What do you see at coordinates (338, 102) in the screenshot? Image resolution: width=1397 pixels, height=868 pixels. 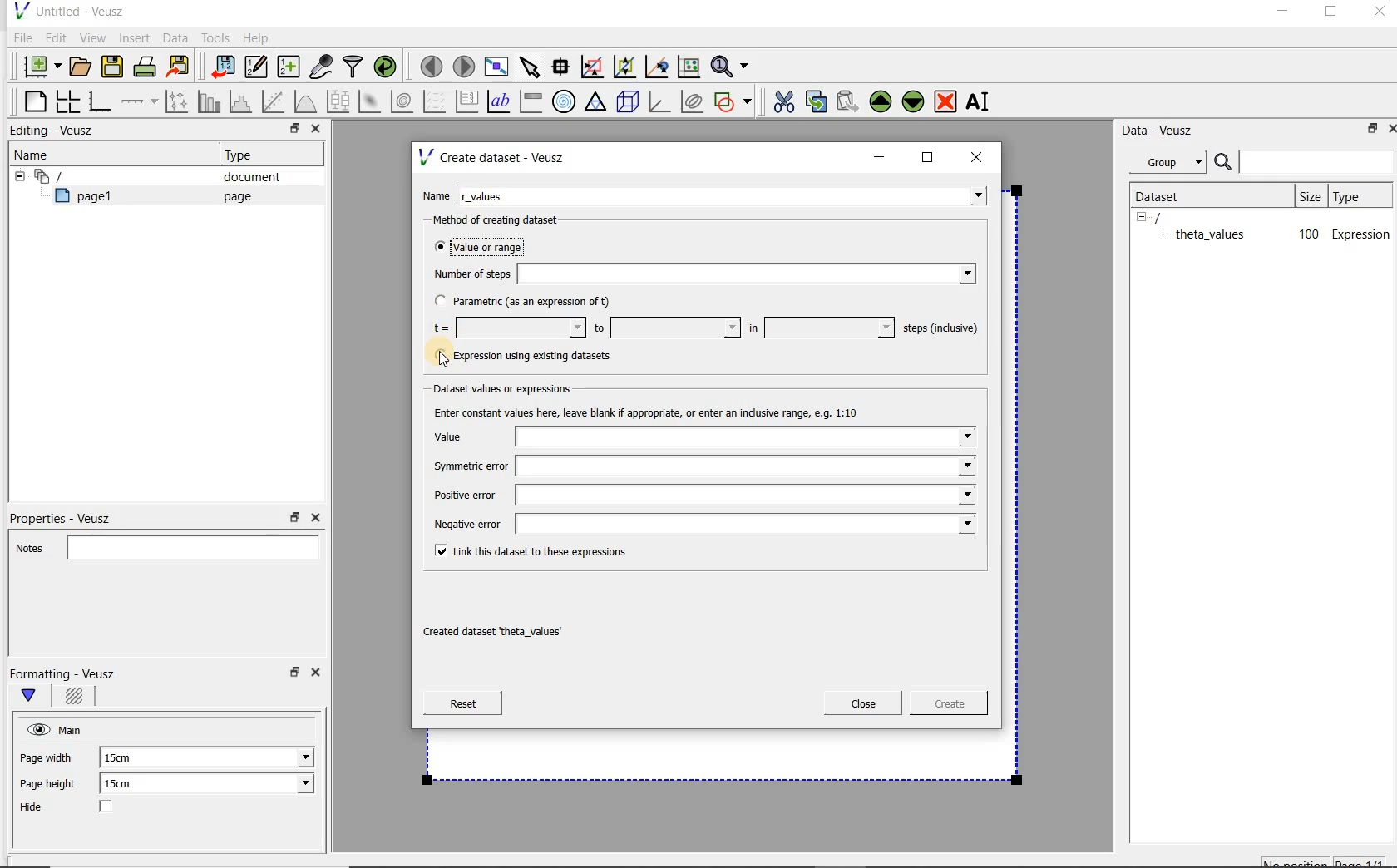 I see `plot box plots` at bounding box center [338, 102].